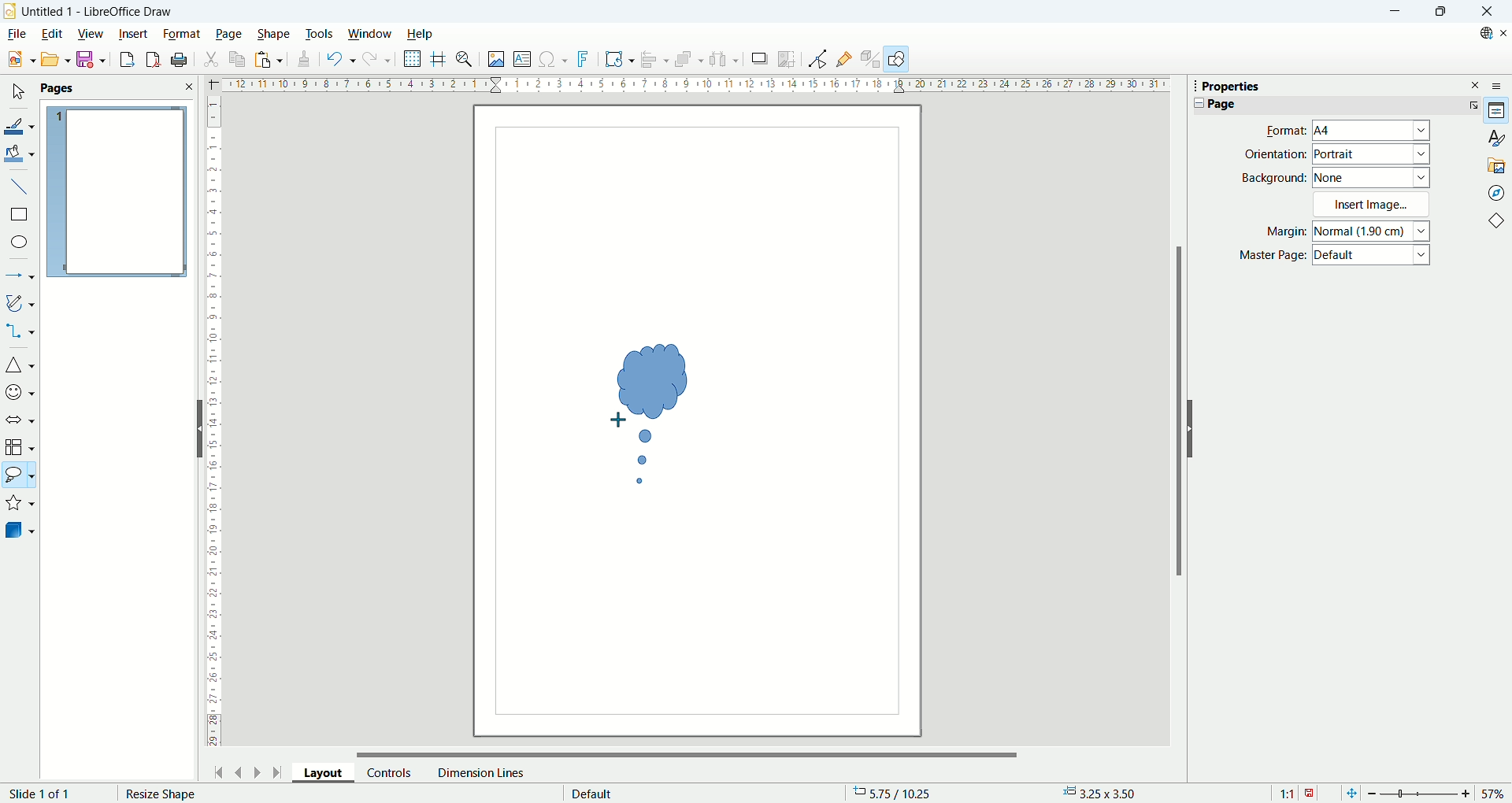 Image resolution: width=1512 pixels, height=803 pixels. I want to click on Margin, so click(1281, 233).